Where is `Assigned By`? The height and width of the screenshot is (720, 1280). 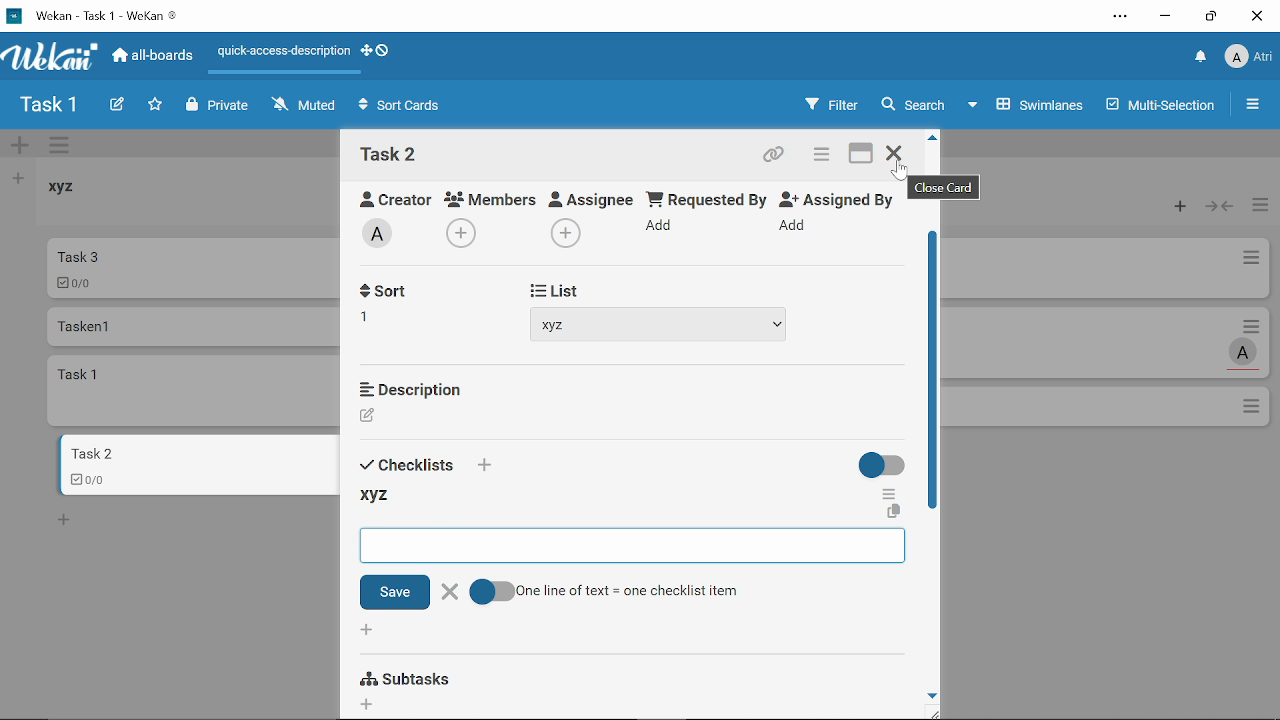 Assigned By is located at coordinates (844, 198).